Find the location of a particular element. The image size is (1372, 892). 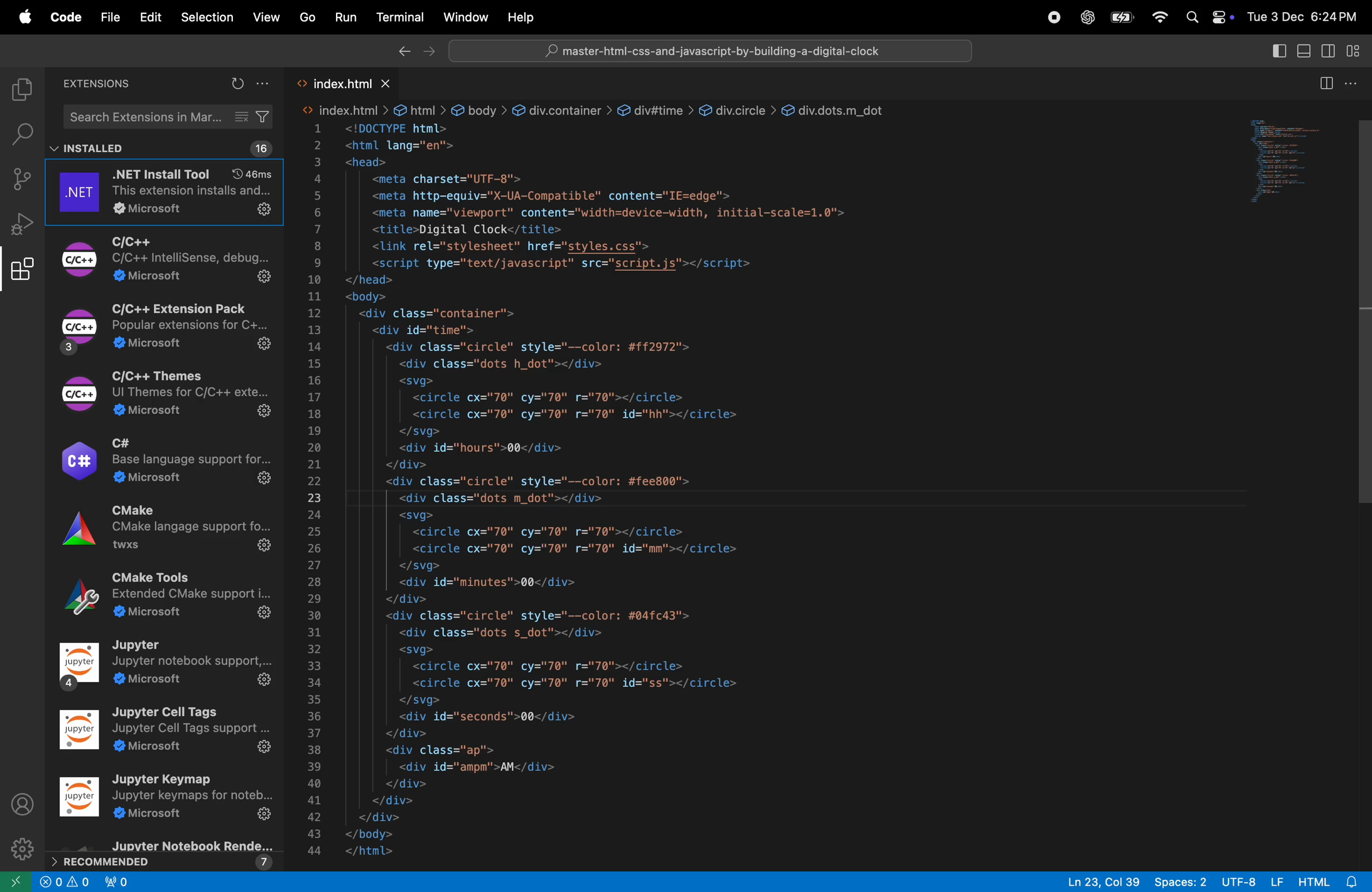

profile is located at coordinates (20, 803).